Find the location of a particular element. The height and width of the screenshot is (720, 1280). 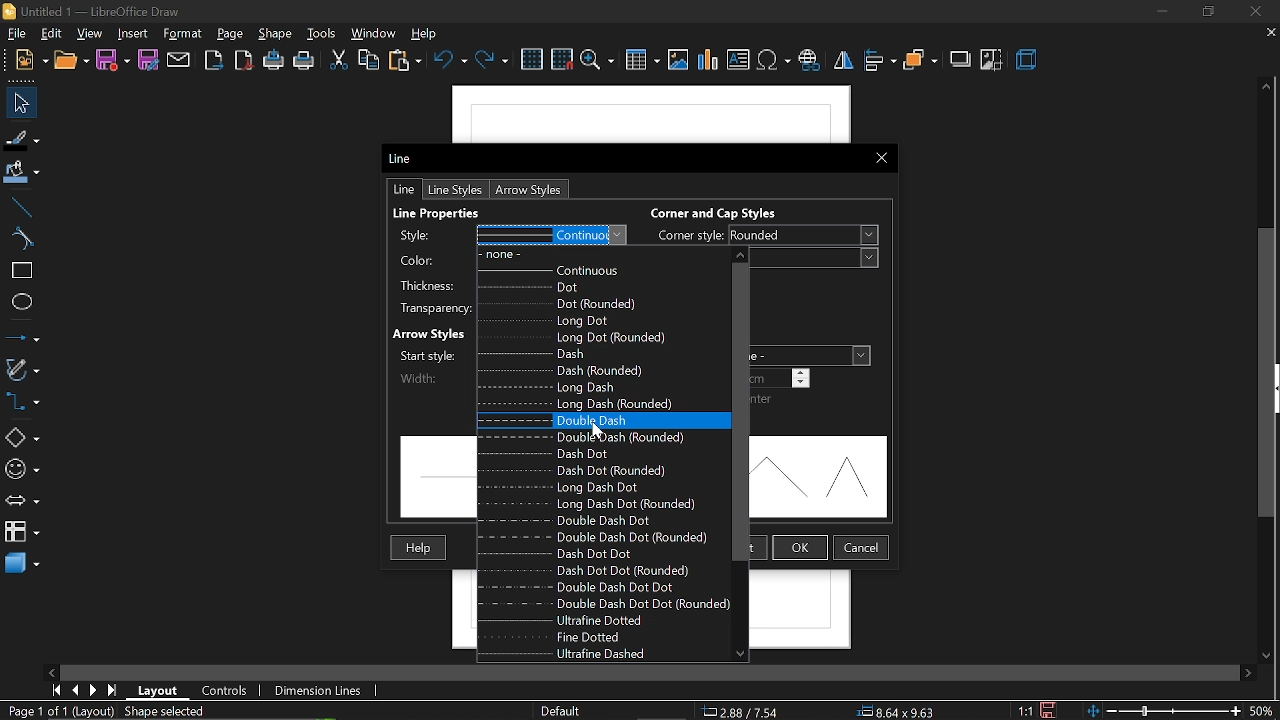

Long dot (Rounded) is located at coordinates (605, 338).